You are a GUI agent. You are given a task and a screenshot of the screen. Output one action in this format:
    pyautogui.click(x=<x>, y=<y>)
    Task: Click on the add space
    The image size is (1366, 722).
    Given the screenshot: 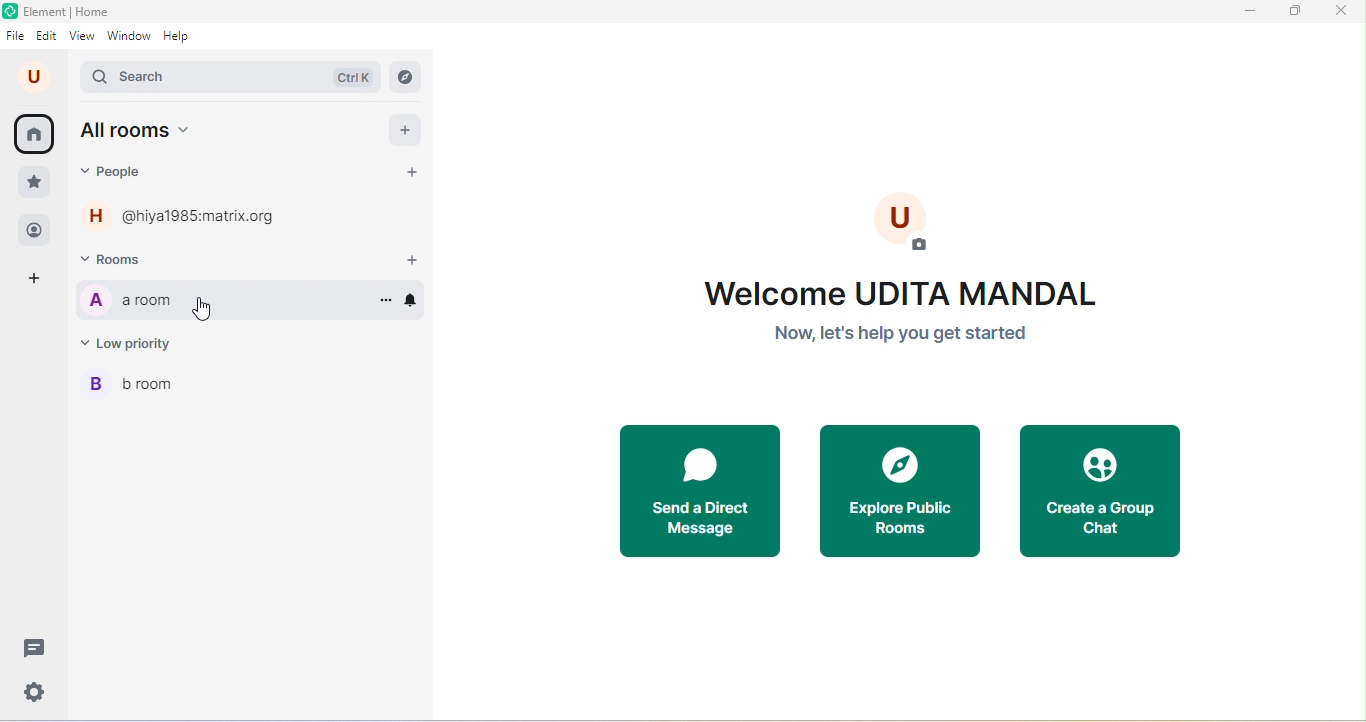 What is the action you would take?
    pyautogui.click(x=33, y=282)
    